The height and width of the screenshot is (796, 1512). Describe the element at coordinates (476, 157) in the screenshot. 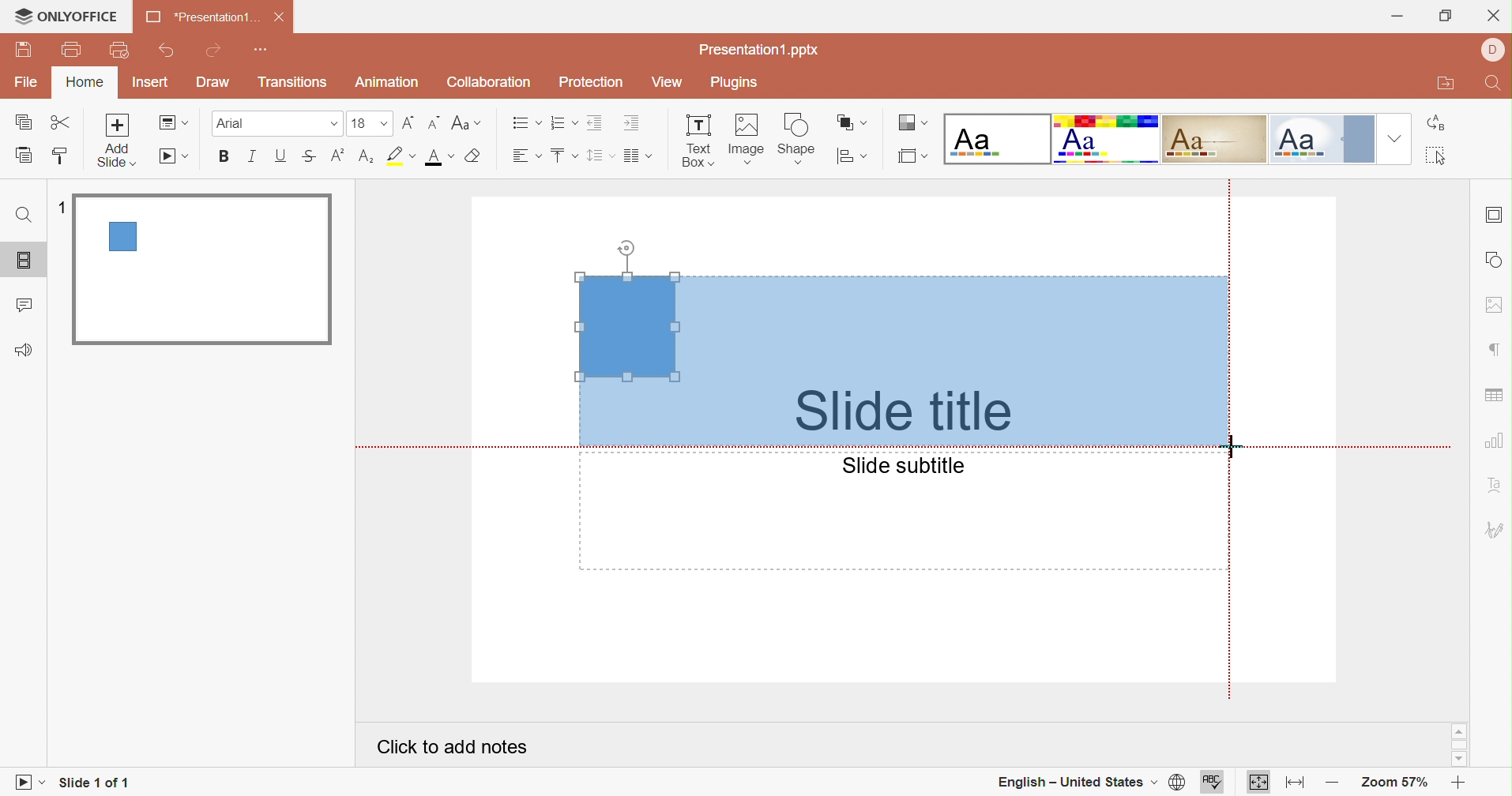

I see `Clear style` at that location.